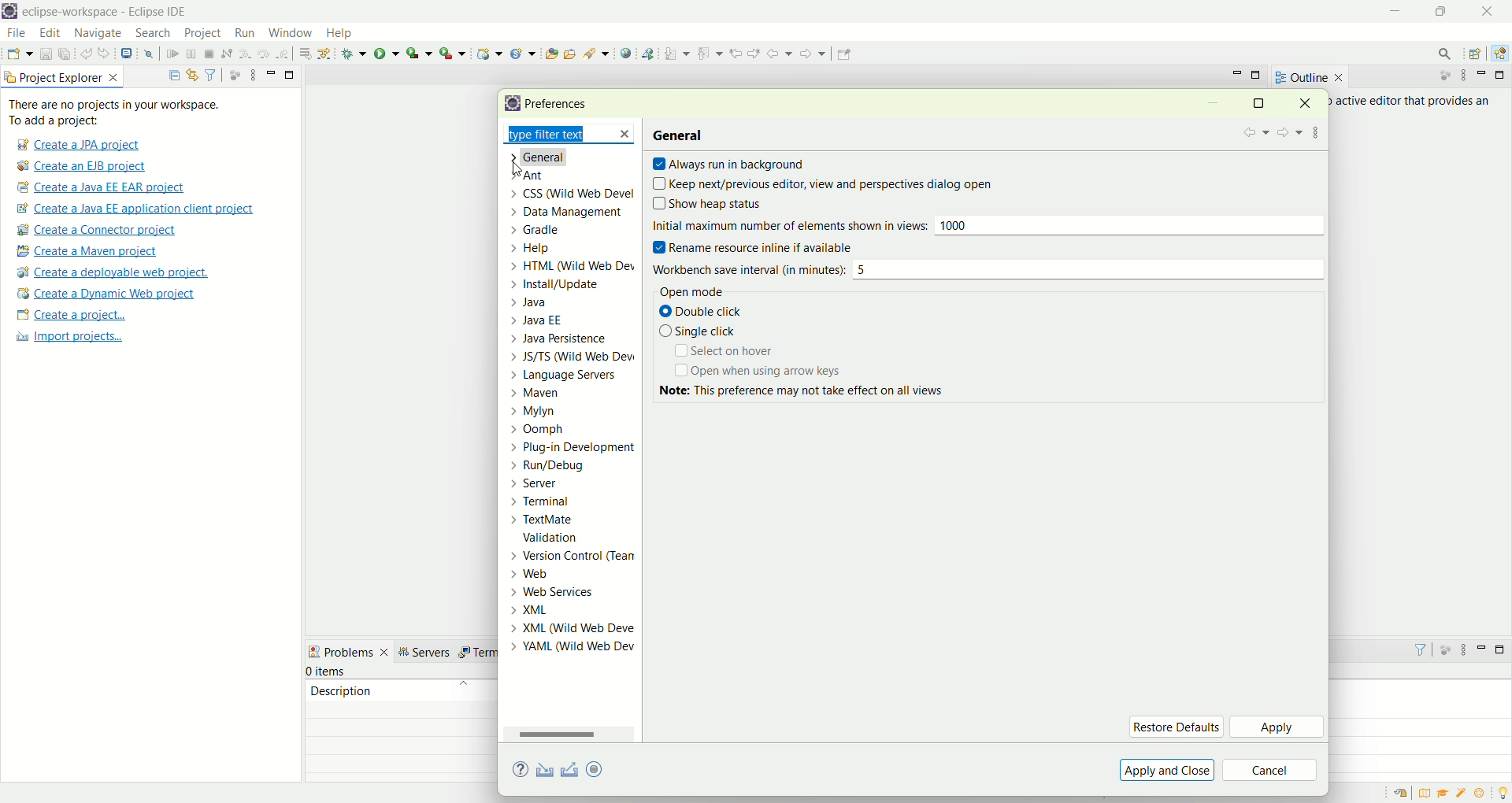  What do you see at coordinates (573, 283) in the screenshot?
I see `install/update` at bounding box center [573, 283].